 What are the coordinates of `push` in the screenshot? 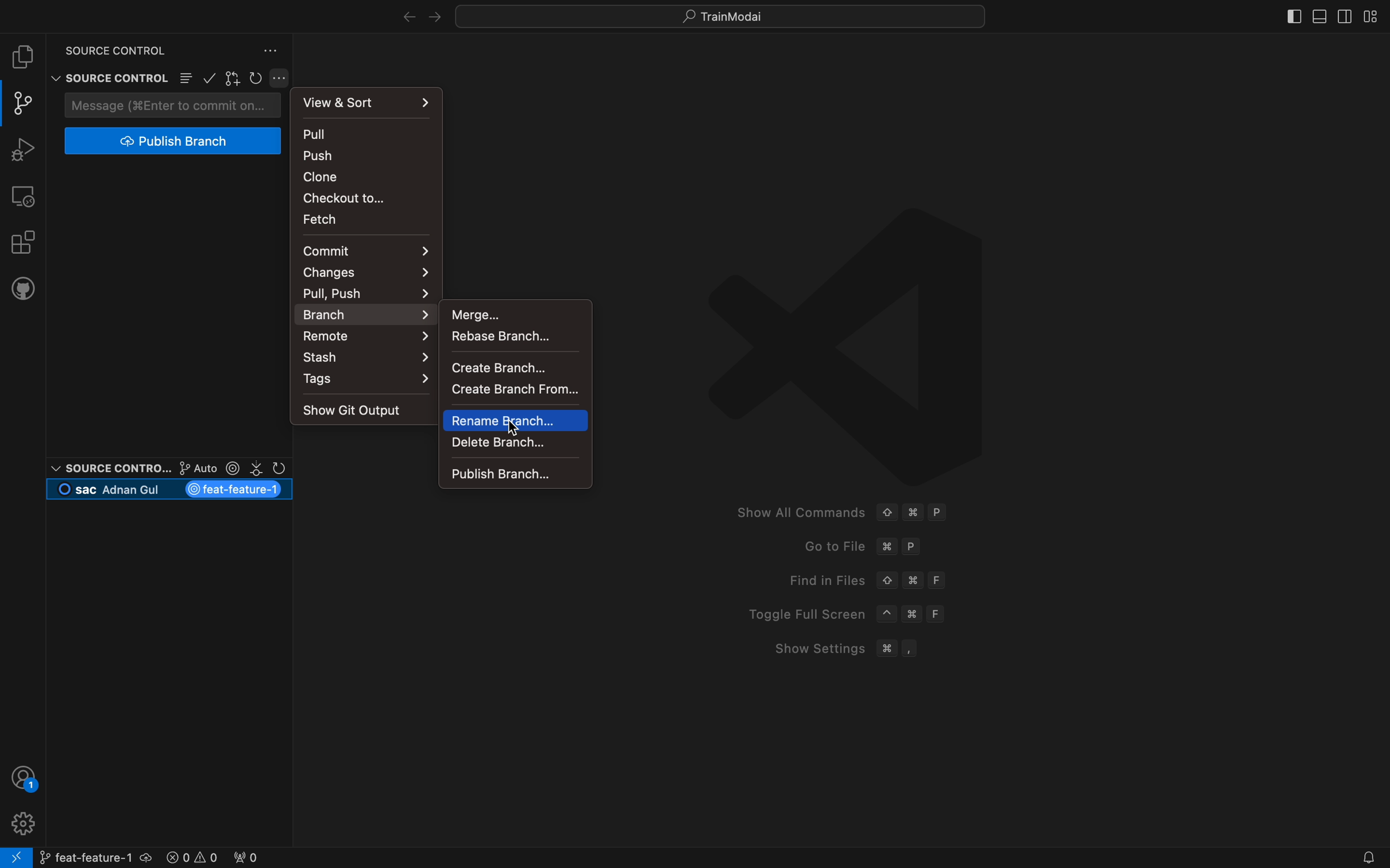 It's located at (369, 155).